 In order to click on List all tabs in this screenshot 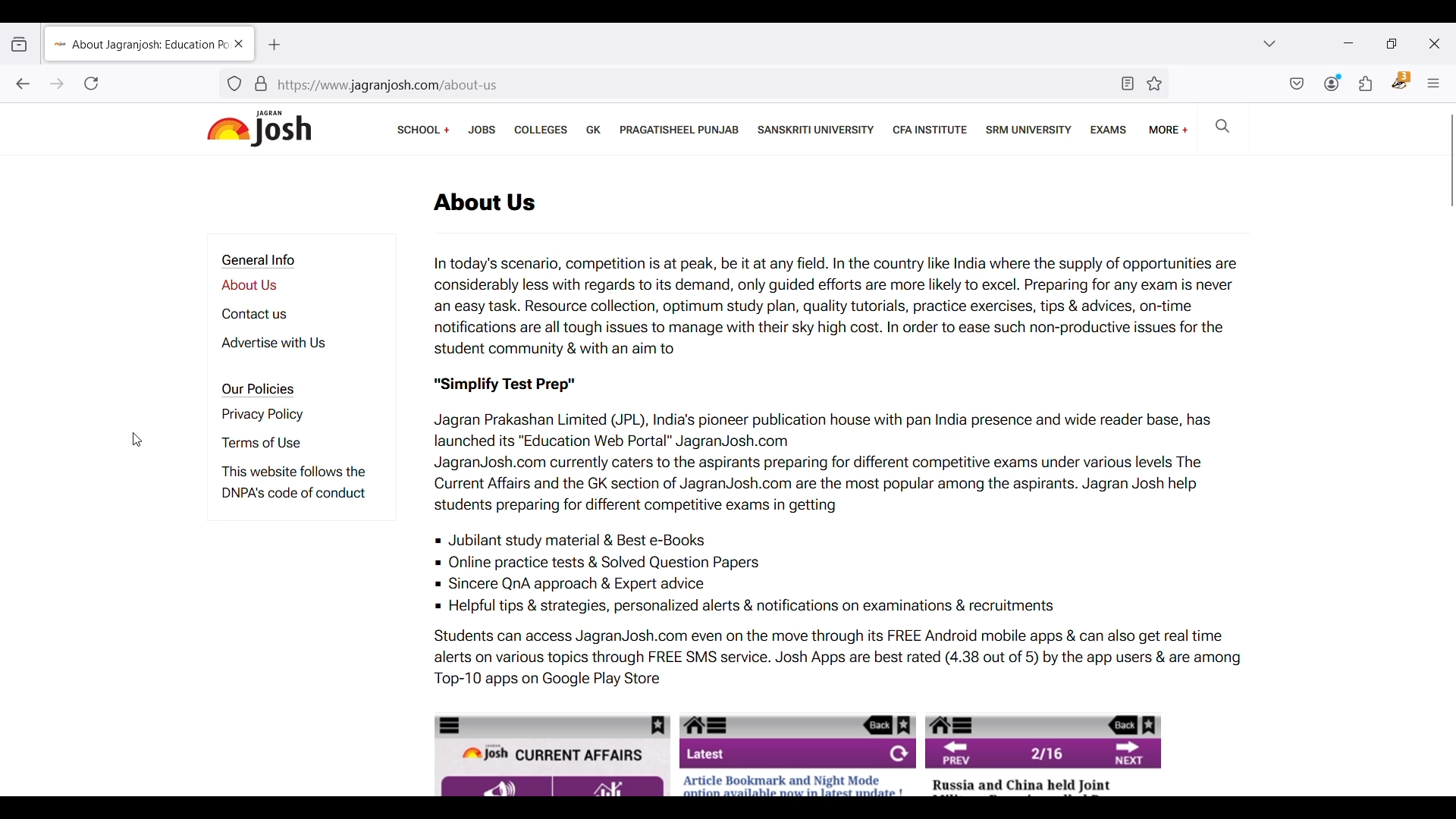, I will do `click(1270, 43)`.